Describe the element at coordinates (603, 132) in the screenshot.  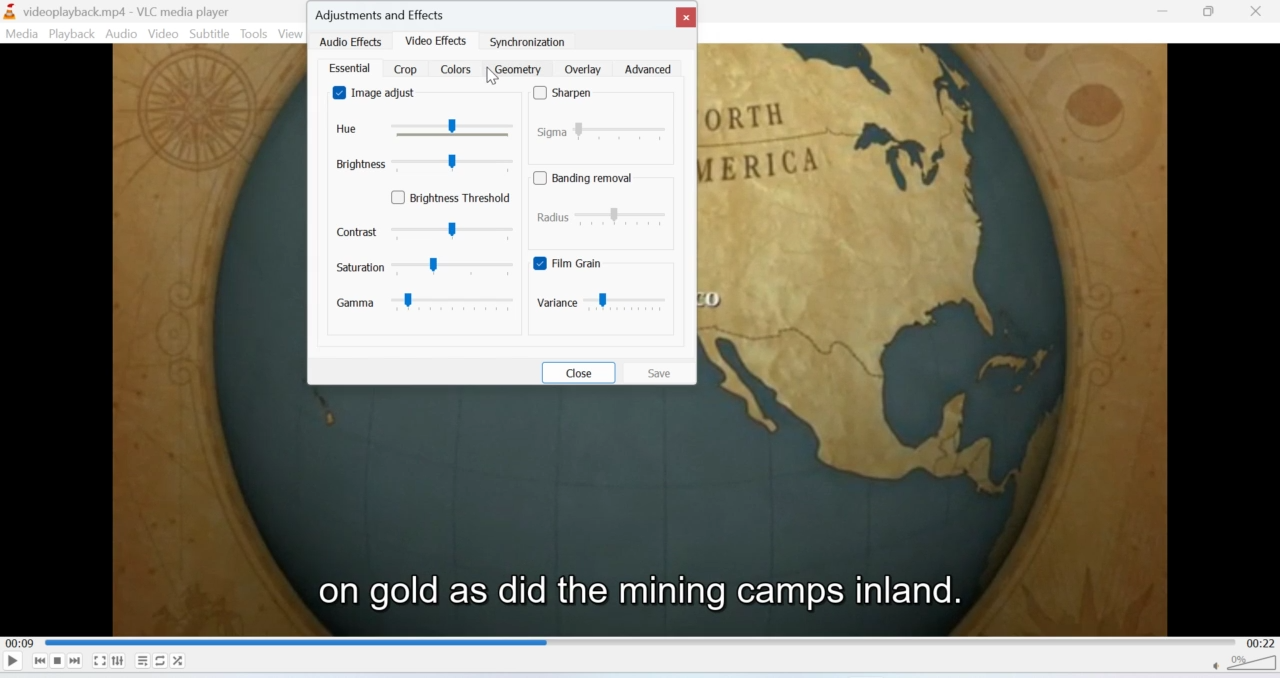
I see `sigma` at that location.